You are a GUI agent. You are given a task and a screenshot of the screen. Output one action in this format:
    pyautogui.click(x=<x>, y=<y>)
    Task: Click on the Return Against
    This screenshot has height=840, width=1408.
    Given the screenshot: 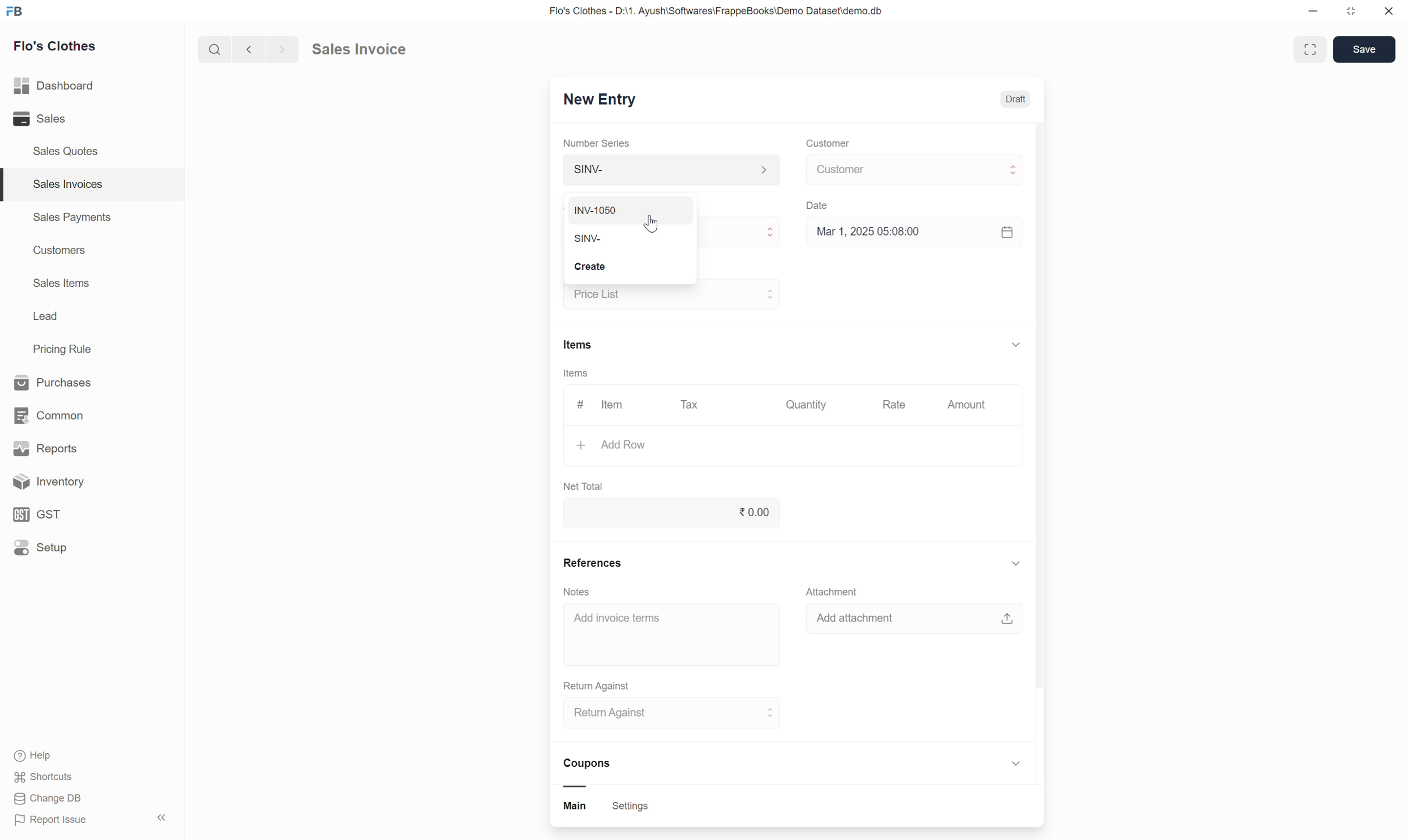 What is the action you would take?
    pyautogui.click(x=598, y=684)
    